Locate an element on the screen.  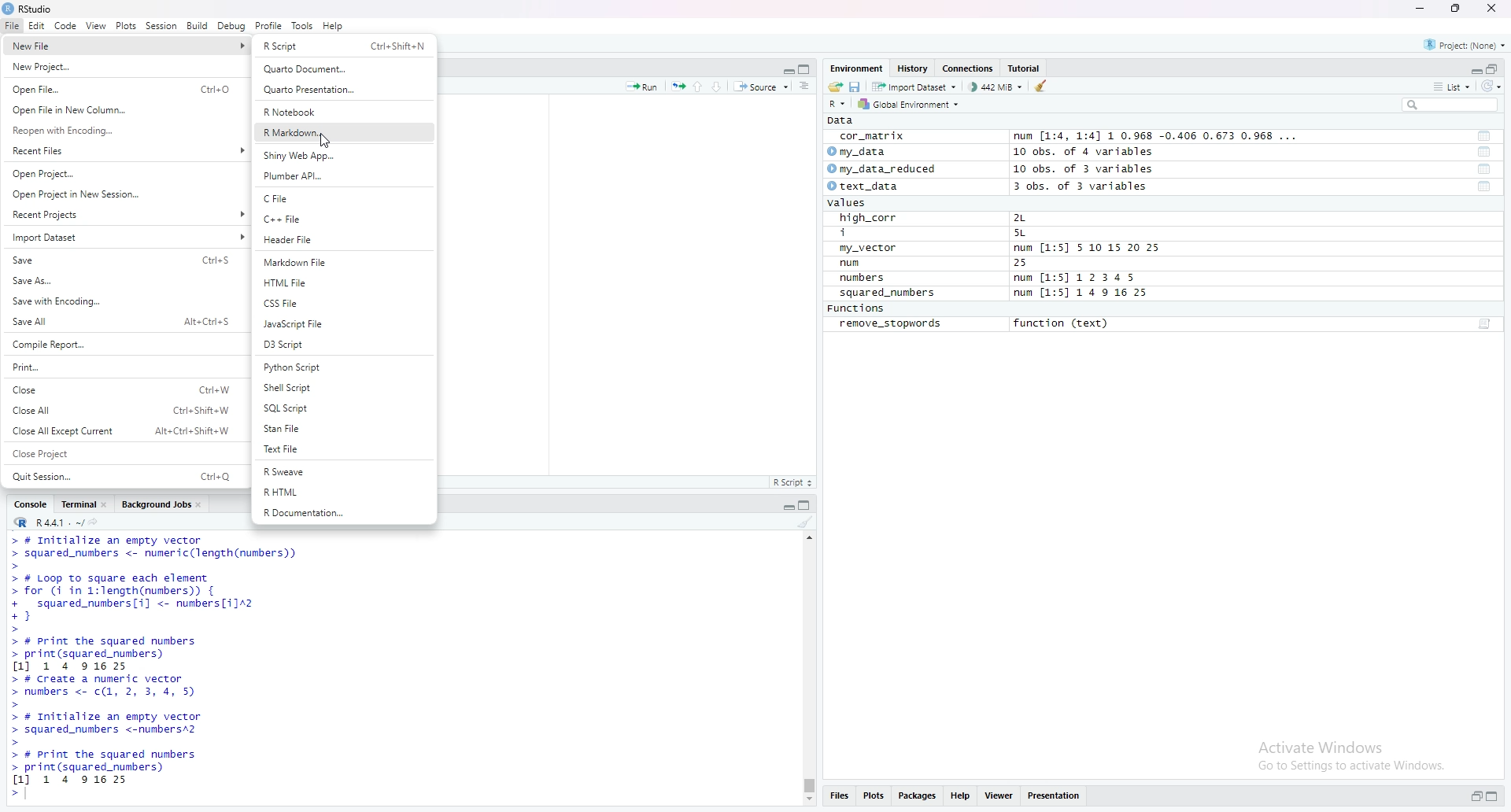
Tools is located at coordinates (301, 25).